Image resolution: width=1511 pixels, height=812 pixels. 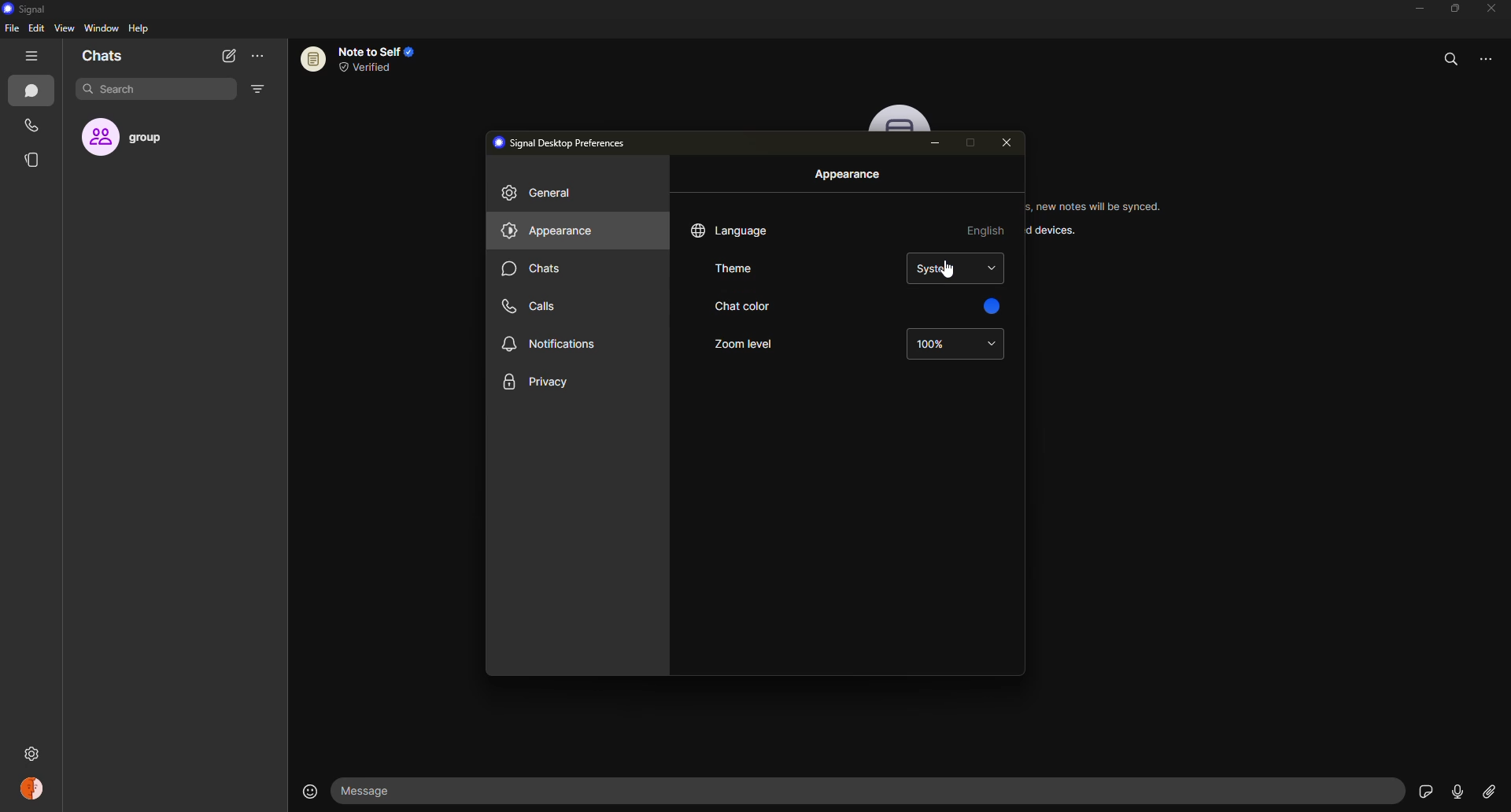 What do you see at coordinates (36, 160) in the screenshot?
I see `stories` at bounding box center [36, 160].